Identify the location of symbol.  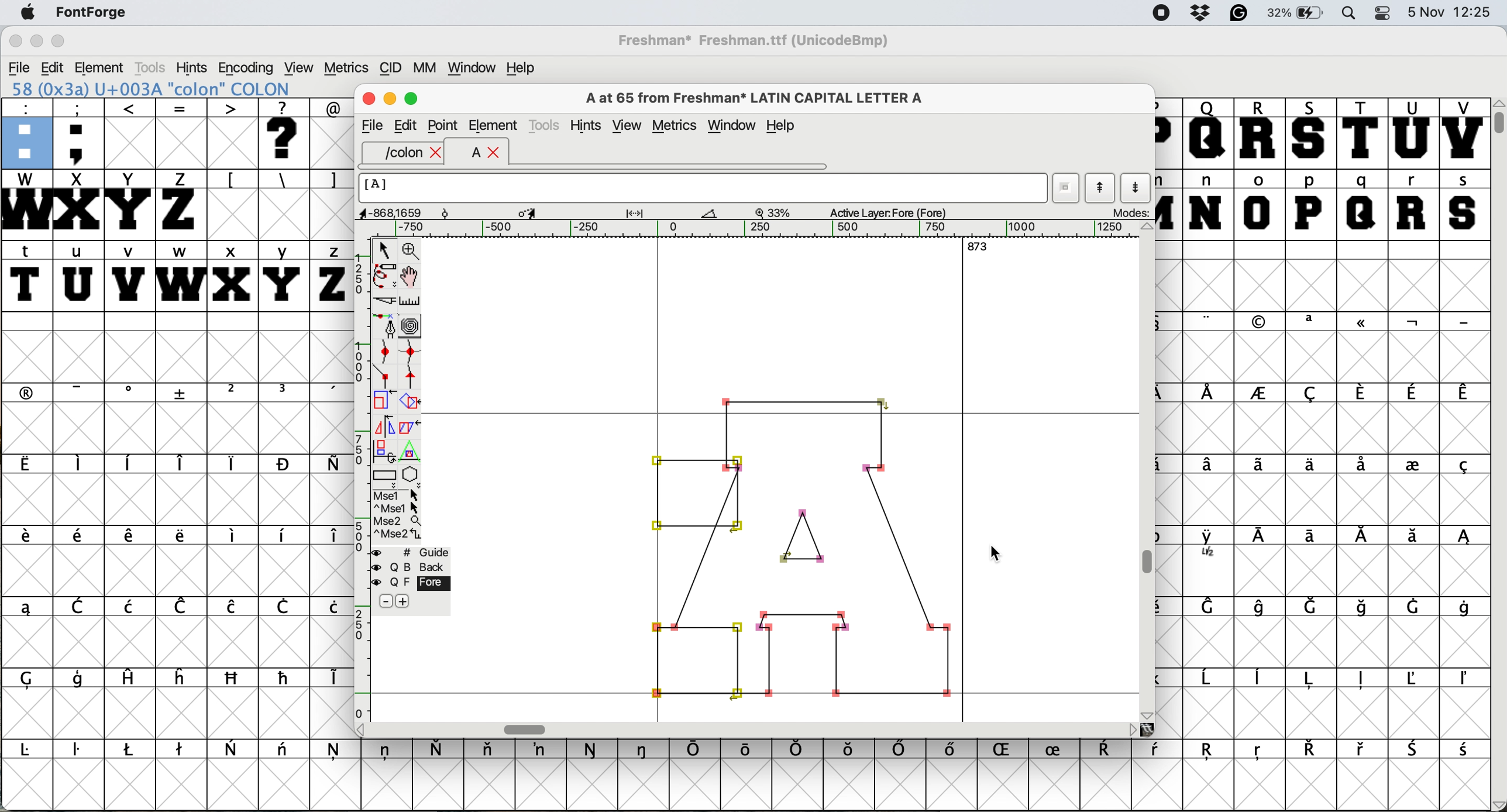
(182, 606).